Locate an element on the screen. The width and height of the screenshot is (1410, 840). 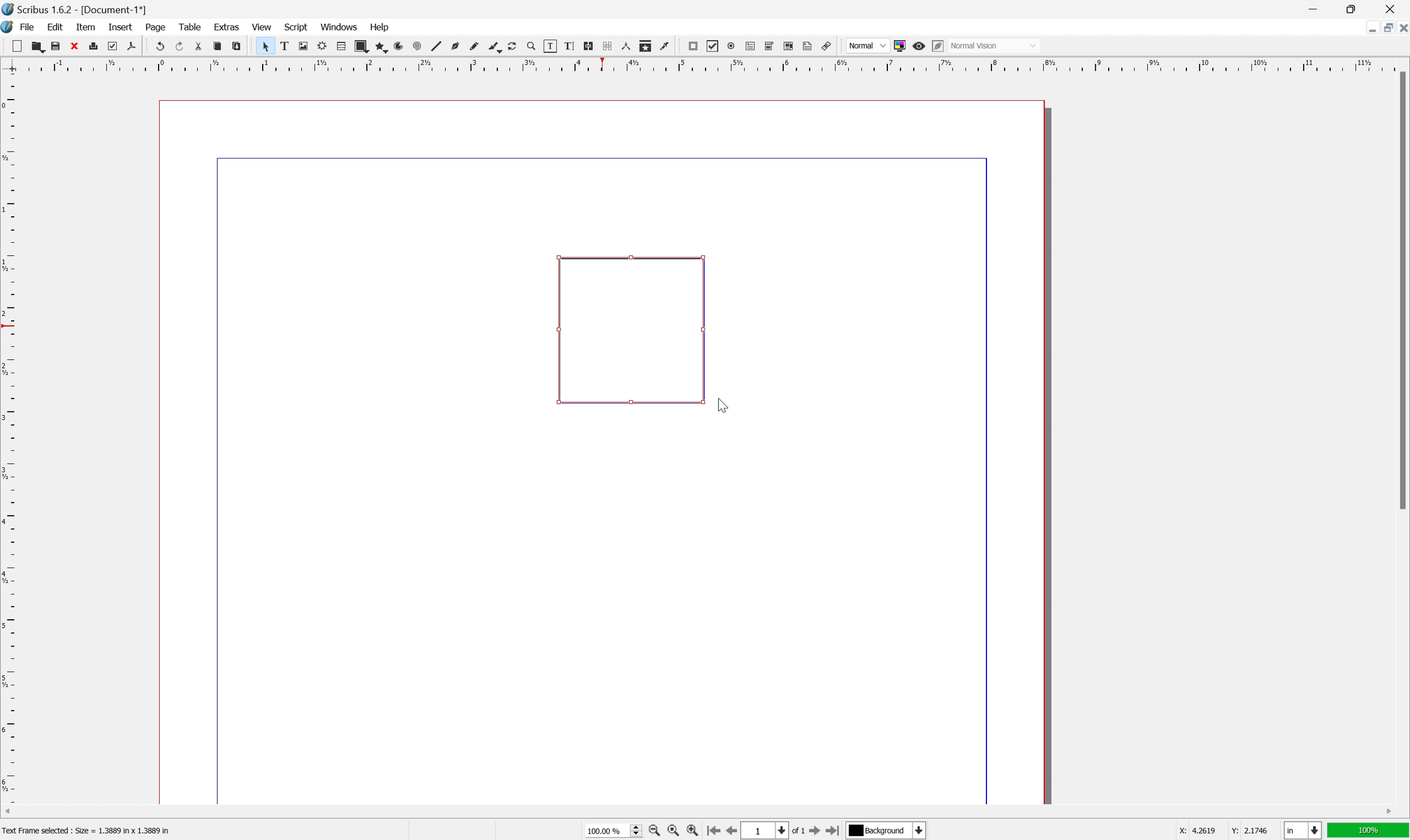
new is located at coordinates (16, 46).